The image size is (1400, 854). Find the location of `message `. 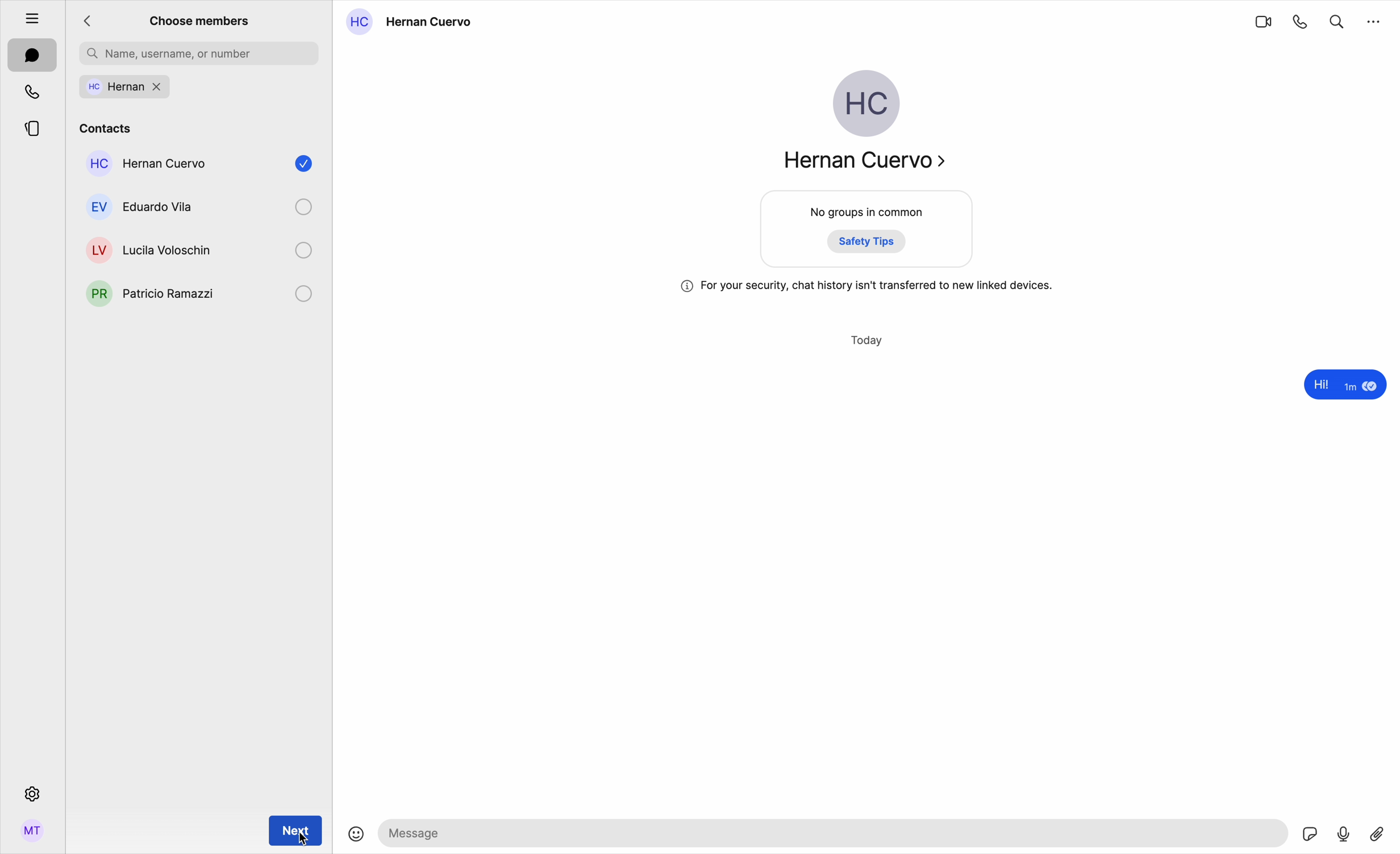

message  is located at coordinates (1342, 386).